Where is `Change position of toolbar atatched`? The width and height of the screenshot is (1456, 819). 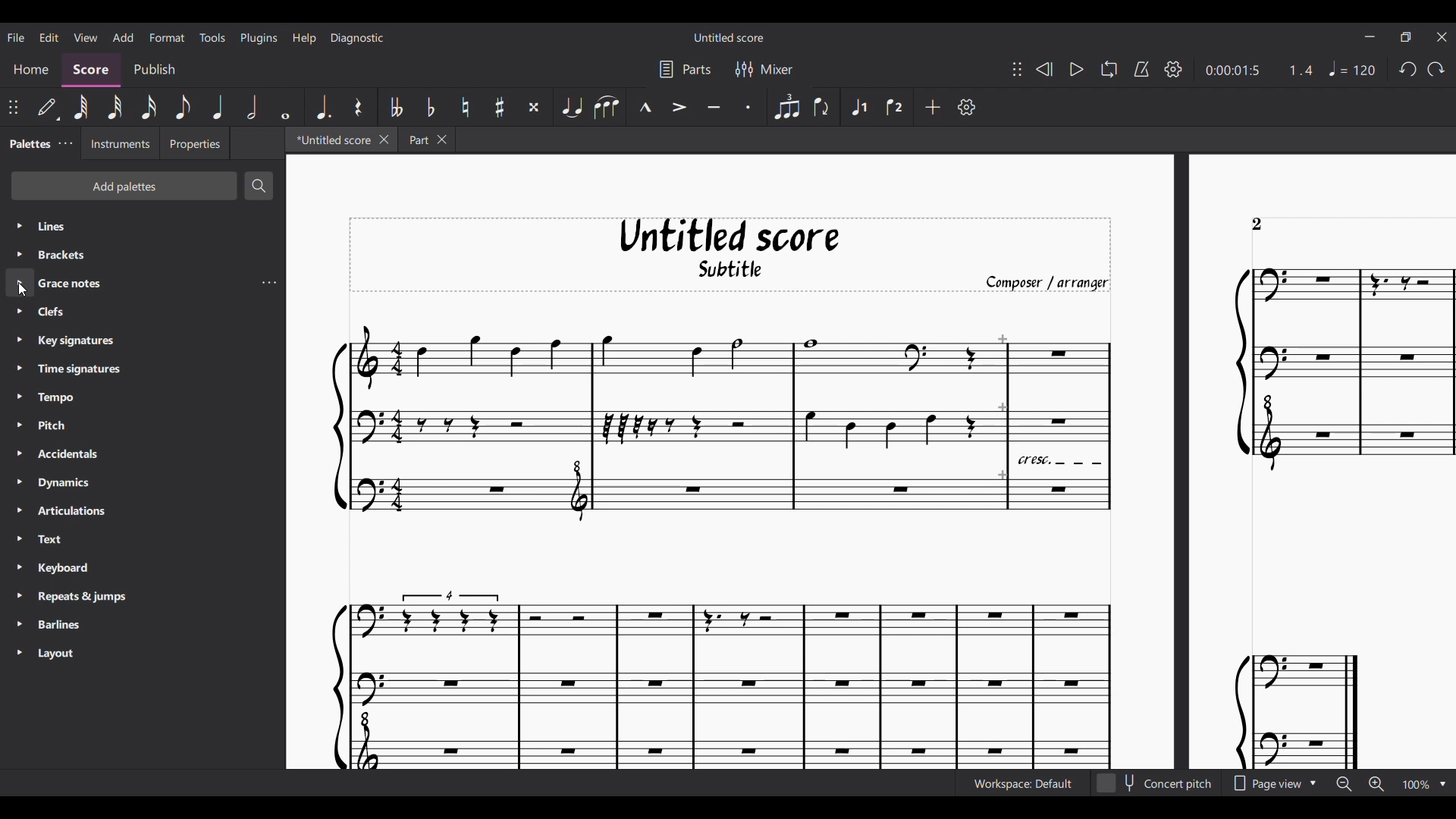
Change position of toolbar atatched is located at coordinates (13, 107).